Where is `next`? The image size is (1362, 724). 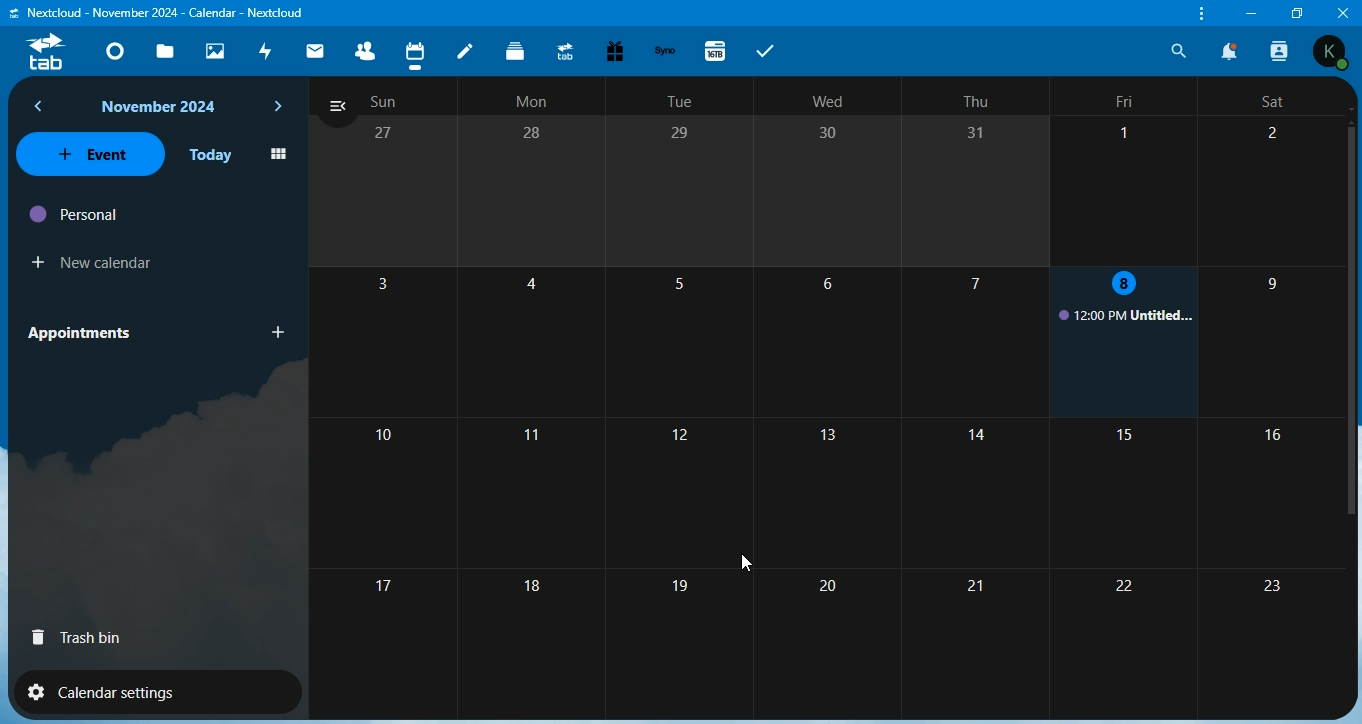
next is located at coordinates (278, 108).